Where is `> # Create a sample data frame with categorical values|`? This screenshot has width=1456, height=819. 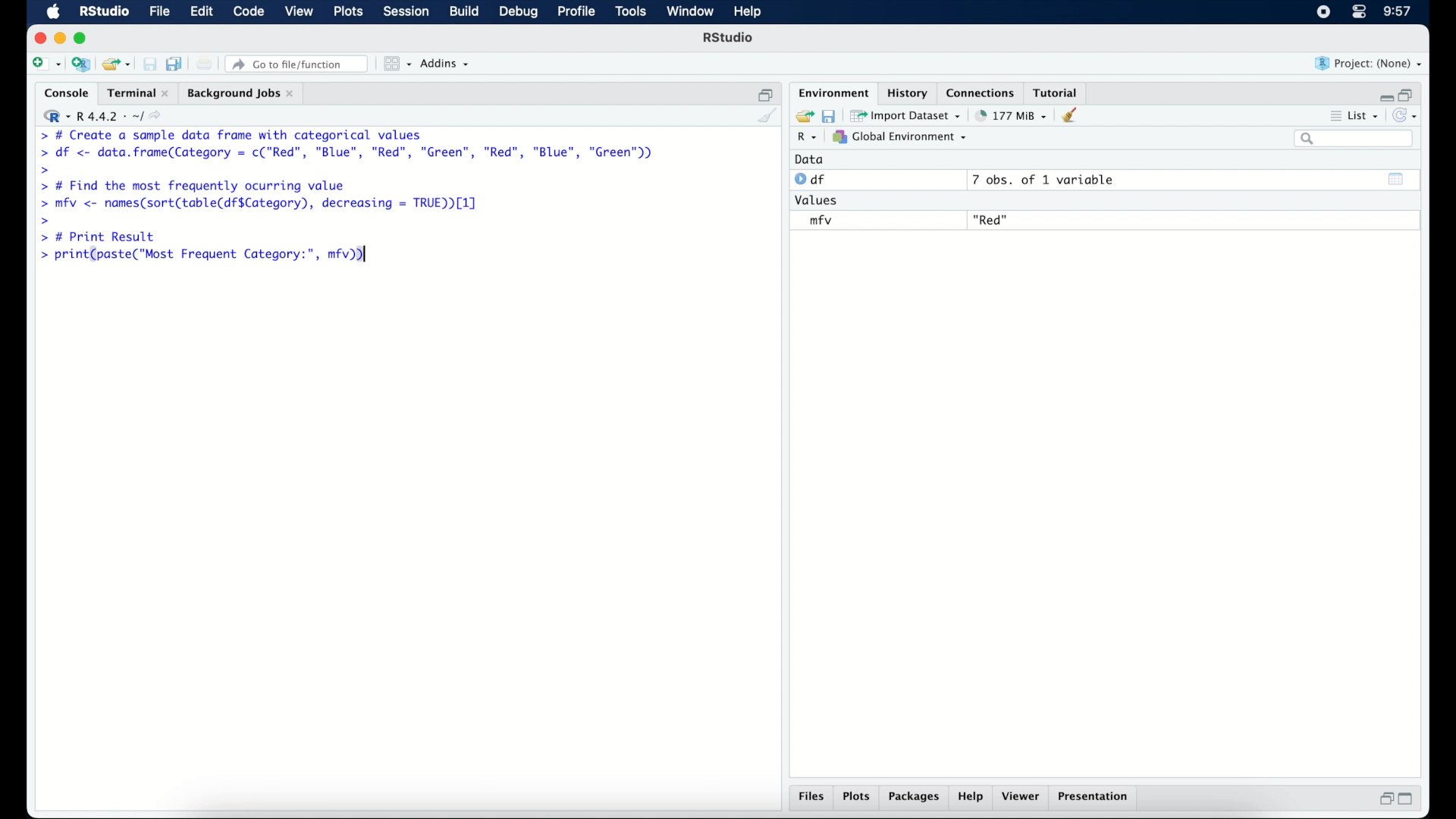 > # Create a sample data frame with categorical values| is located at coordinates (252, 134).